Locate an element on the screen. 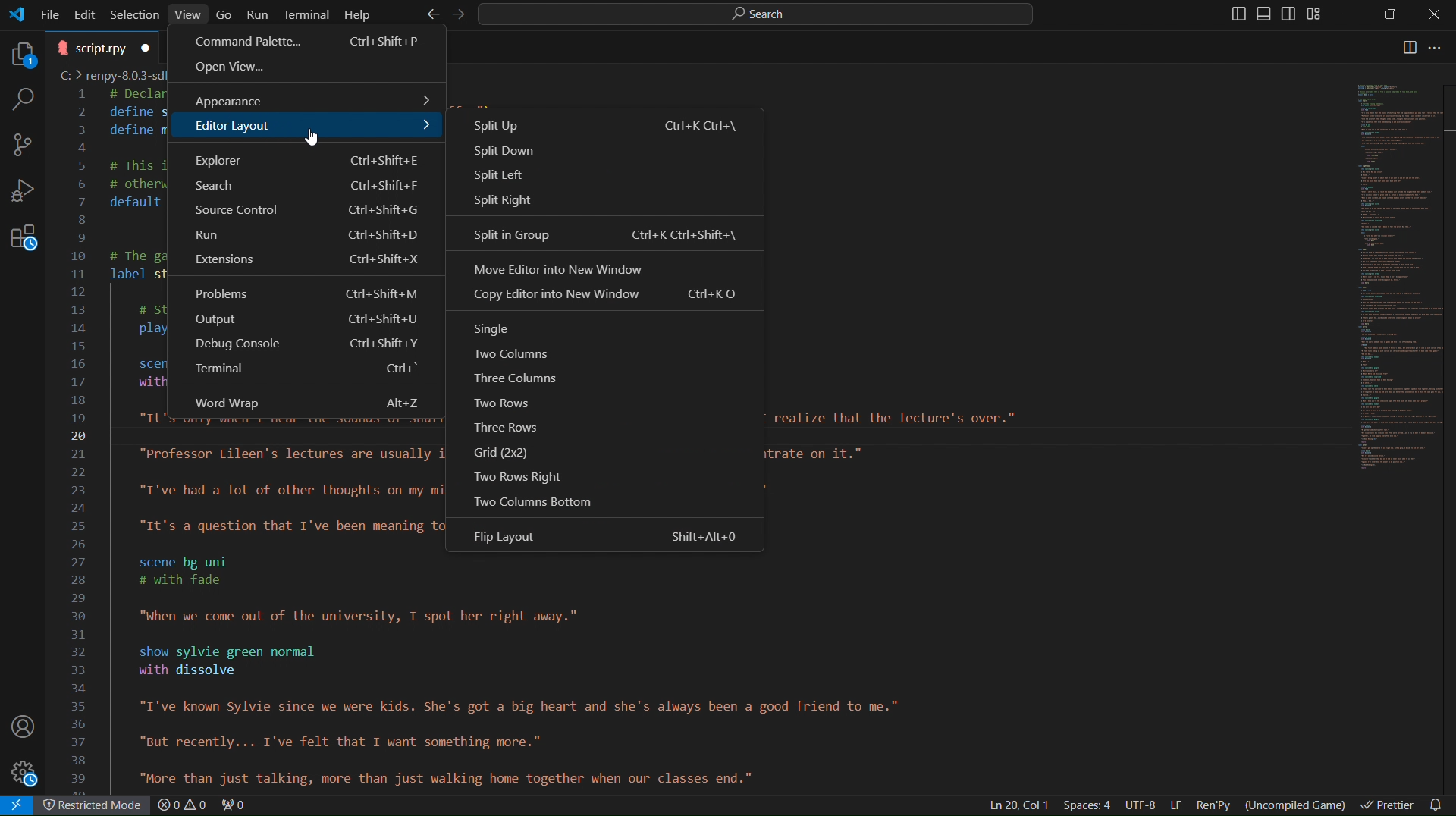 This screenshot has height=816, width=1456. scroll bar is located at coordinates (1447, 359).